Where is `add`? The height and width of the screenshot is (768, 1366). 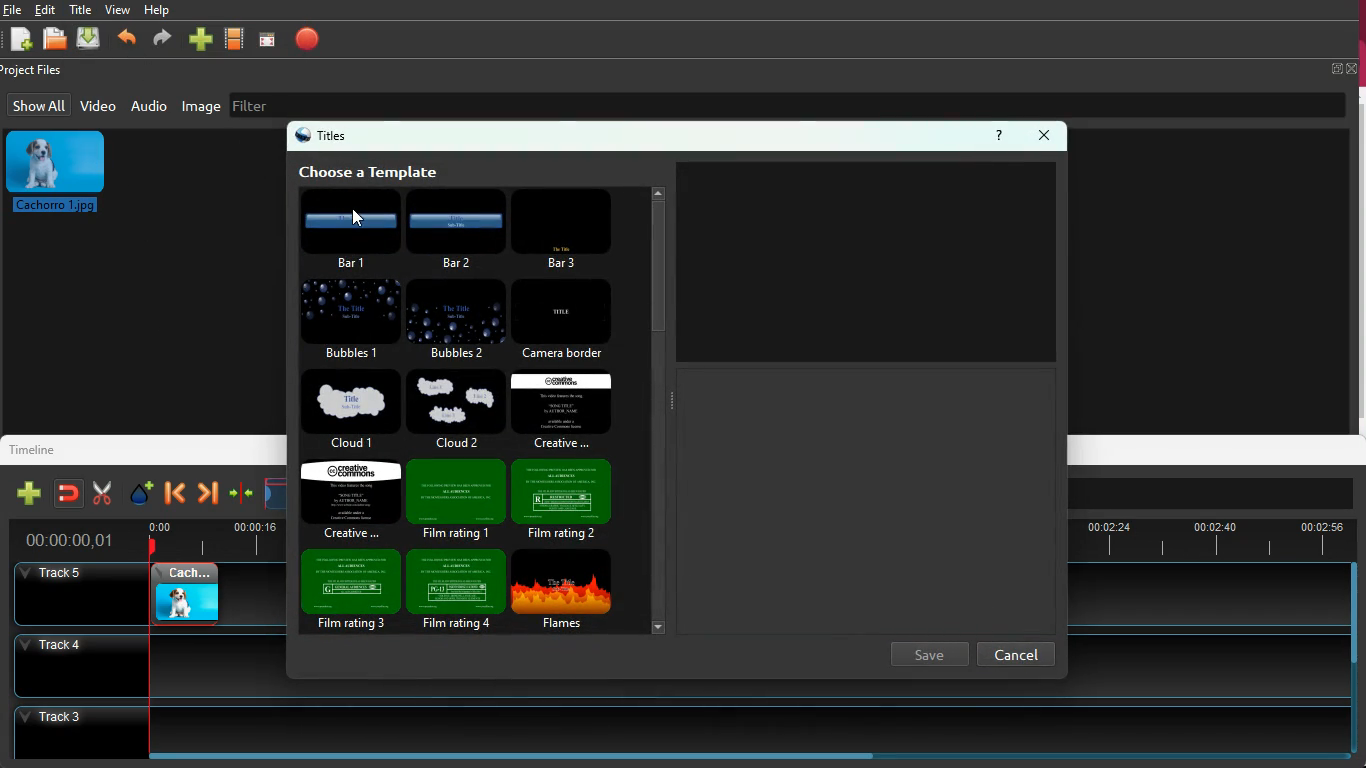 add is located at coordinates (200, 41).